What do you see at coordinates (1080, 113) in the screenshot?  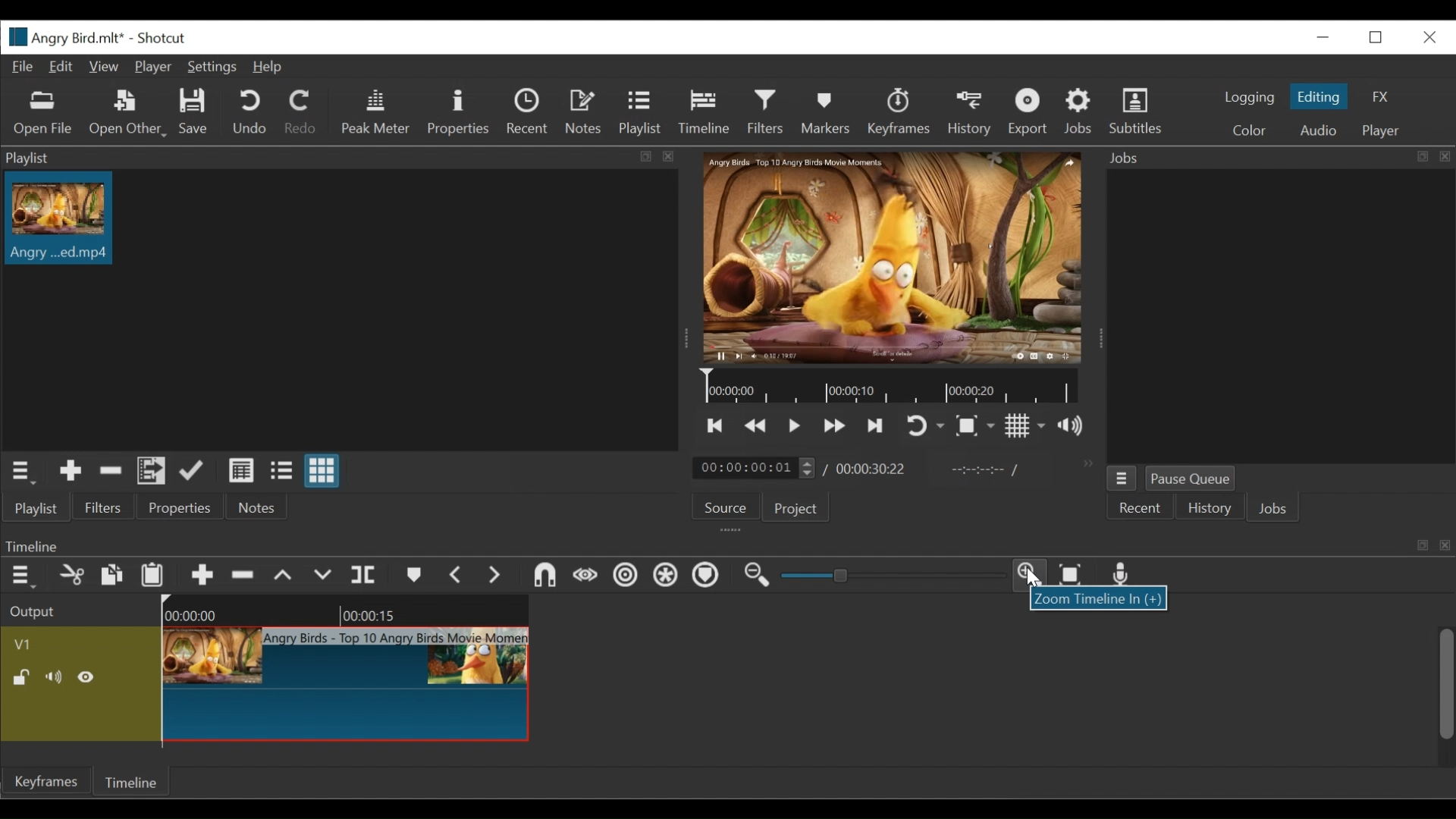 I see `Jobs` at bounding box center [1080, 113].